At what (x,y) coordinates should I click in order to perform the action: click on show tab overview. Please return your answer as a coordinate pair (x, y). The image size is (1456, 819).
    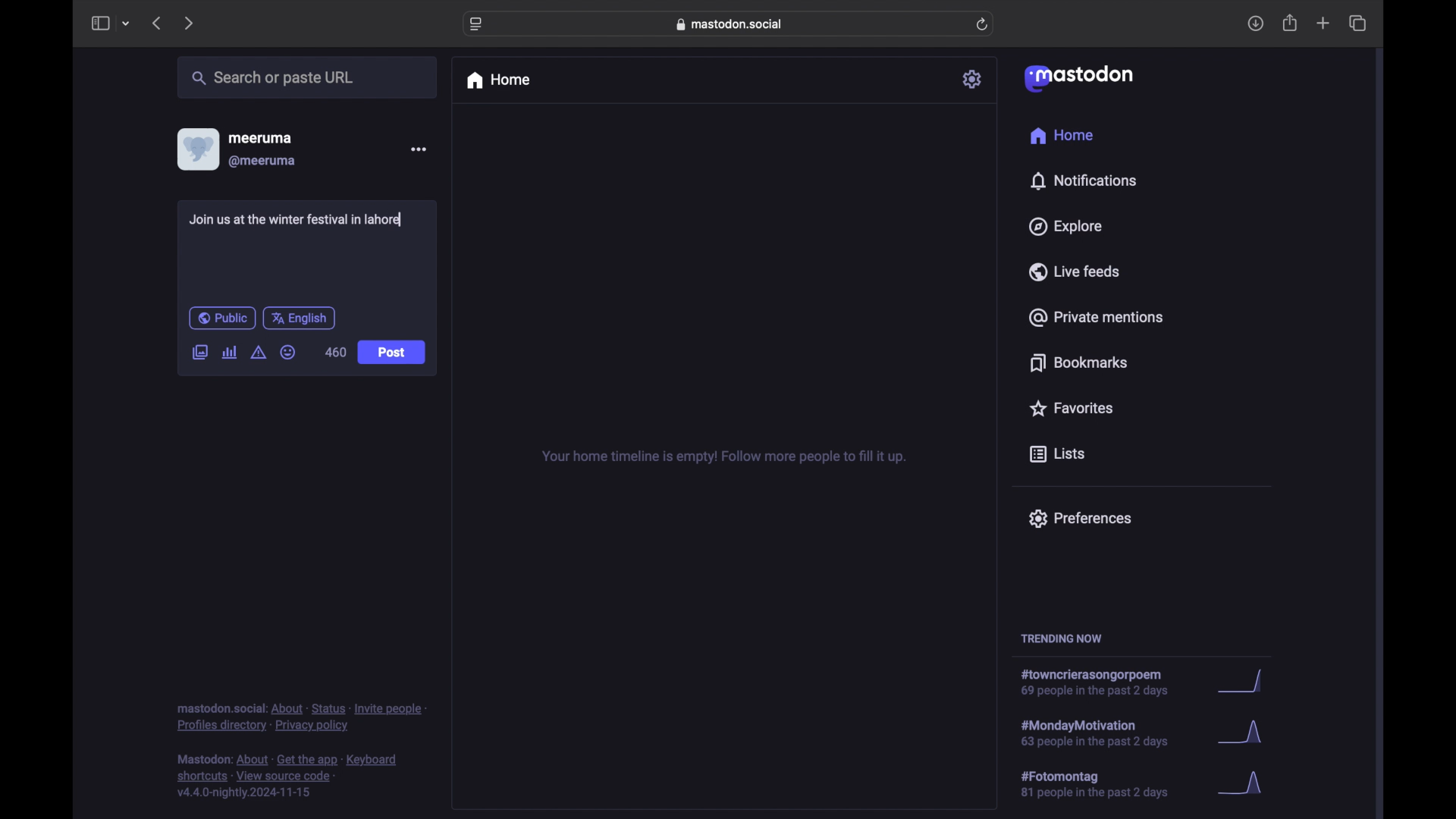
    Looking at the image, I should click on (1357, 24).